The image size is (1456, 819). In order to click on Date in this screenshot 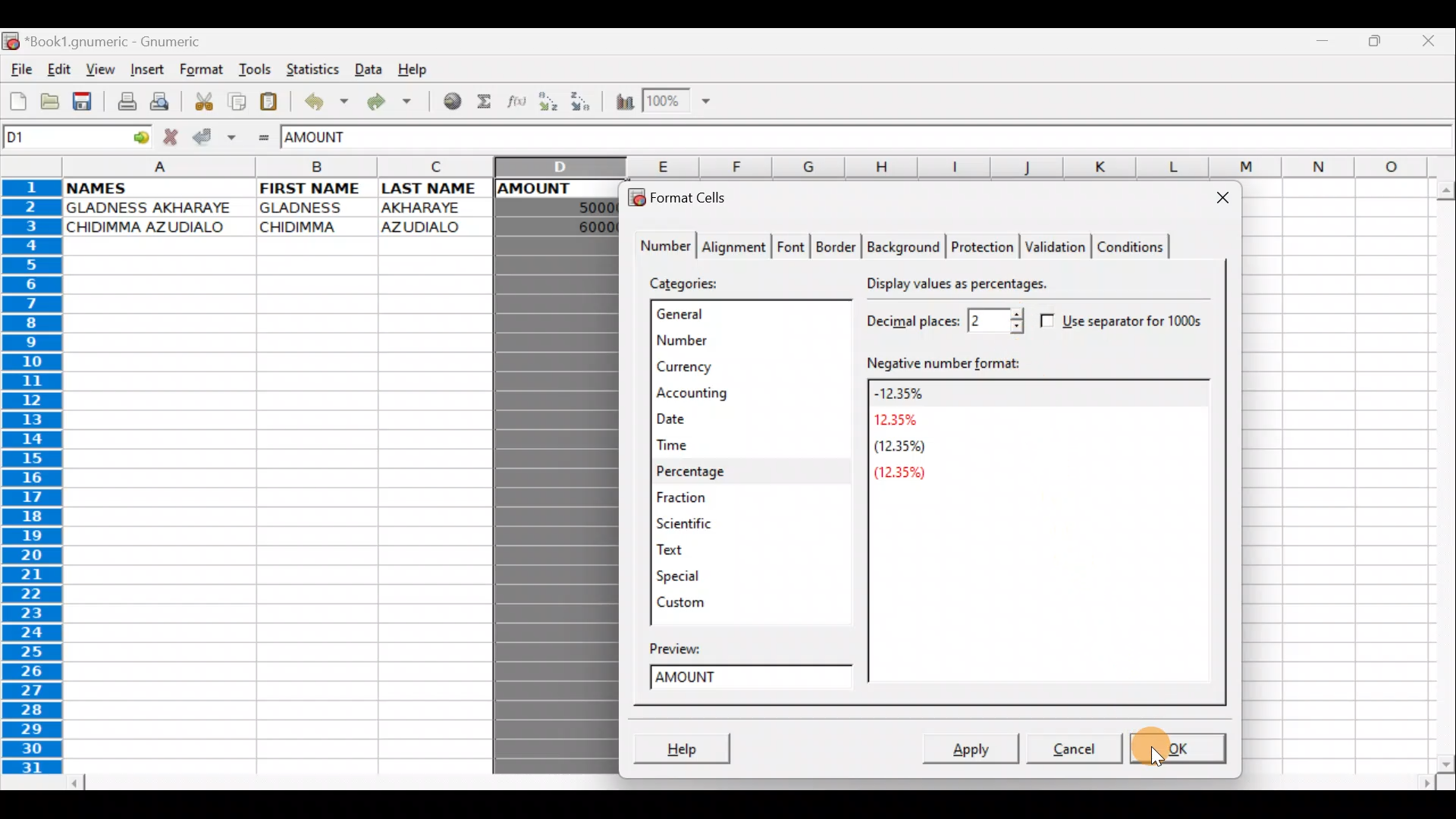, I will do `click(715, 420)`.